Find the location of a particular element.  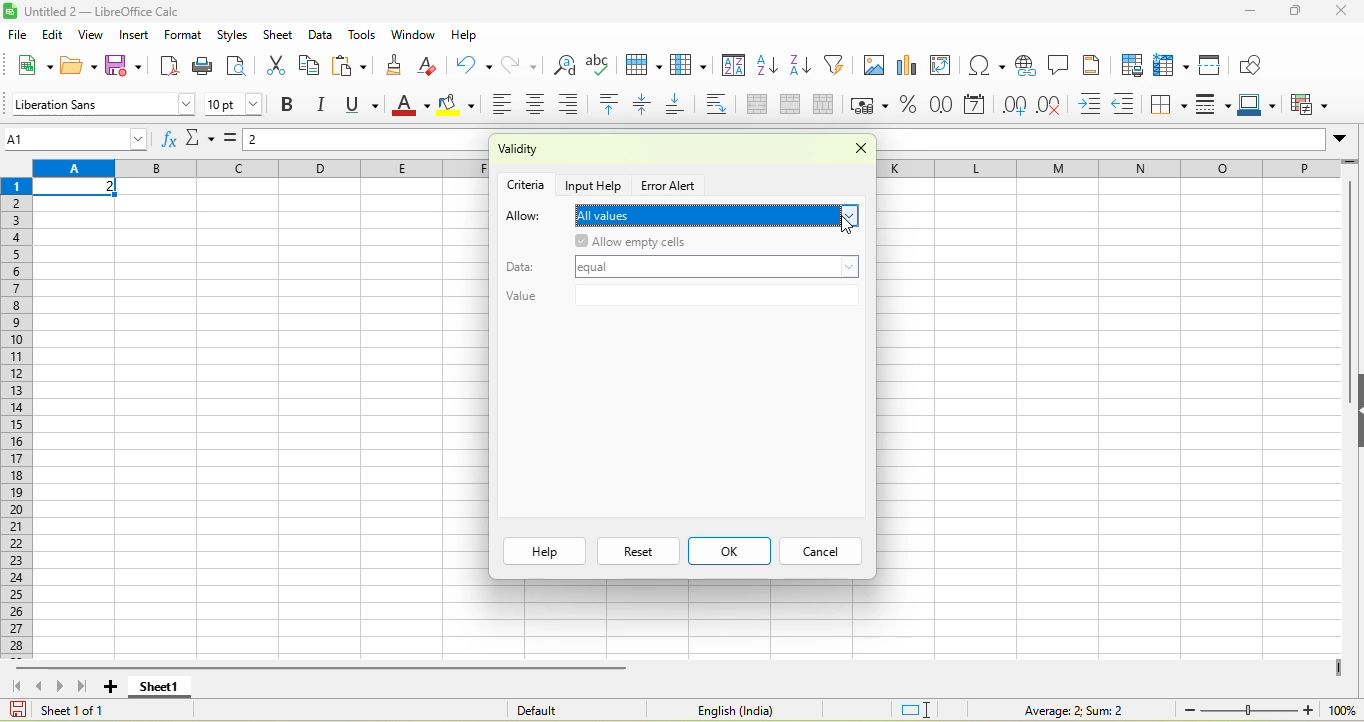

selected cell is located at coordinates (77, 188).